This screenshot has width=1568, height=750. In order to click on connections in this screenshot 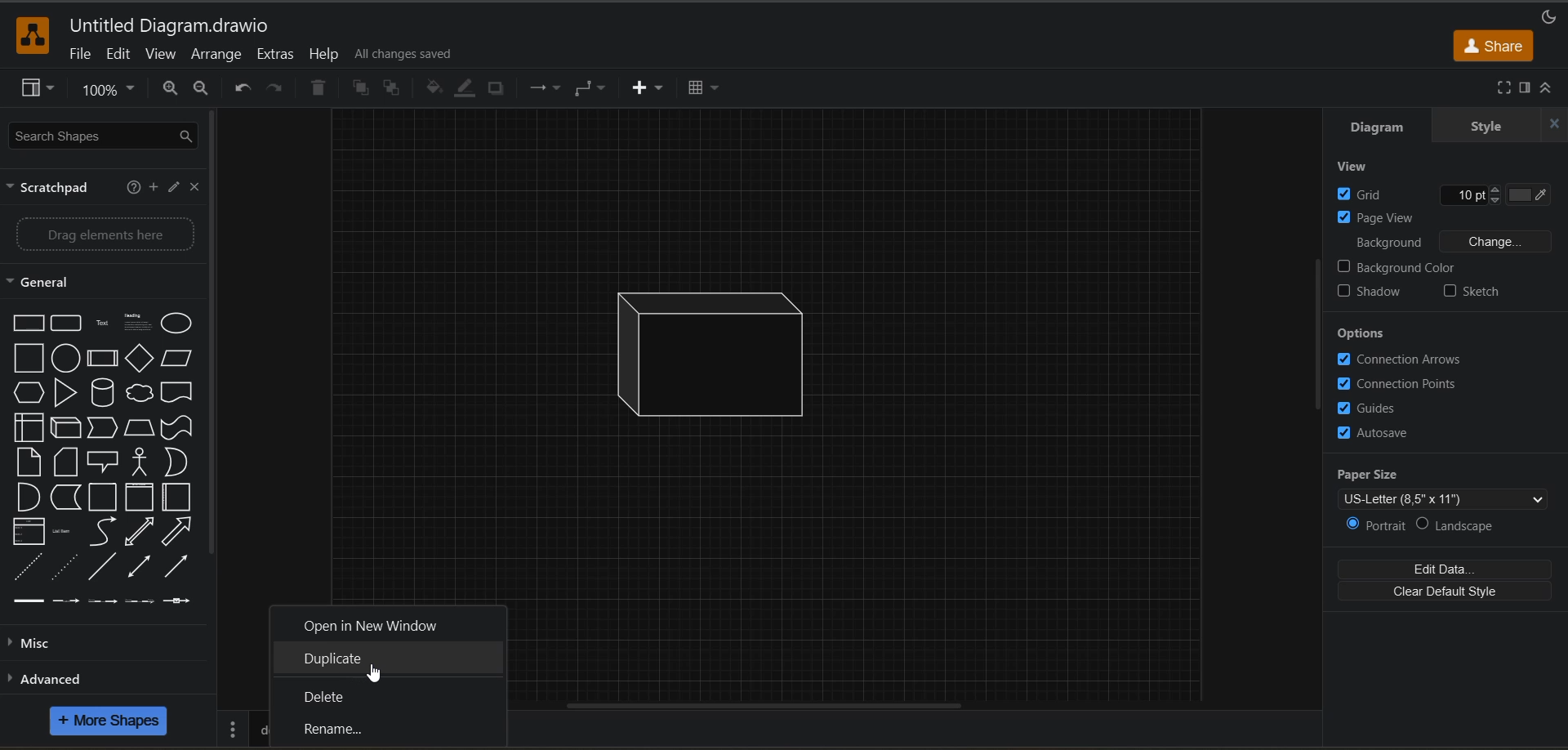, I will do `click(546, 86)`.